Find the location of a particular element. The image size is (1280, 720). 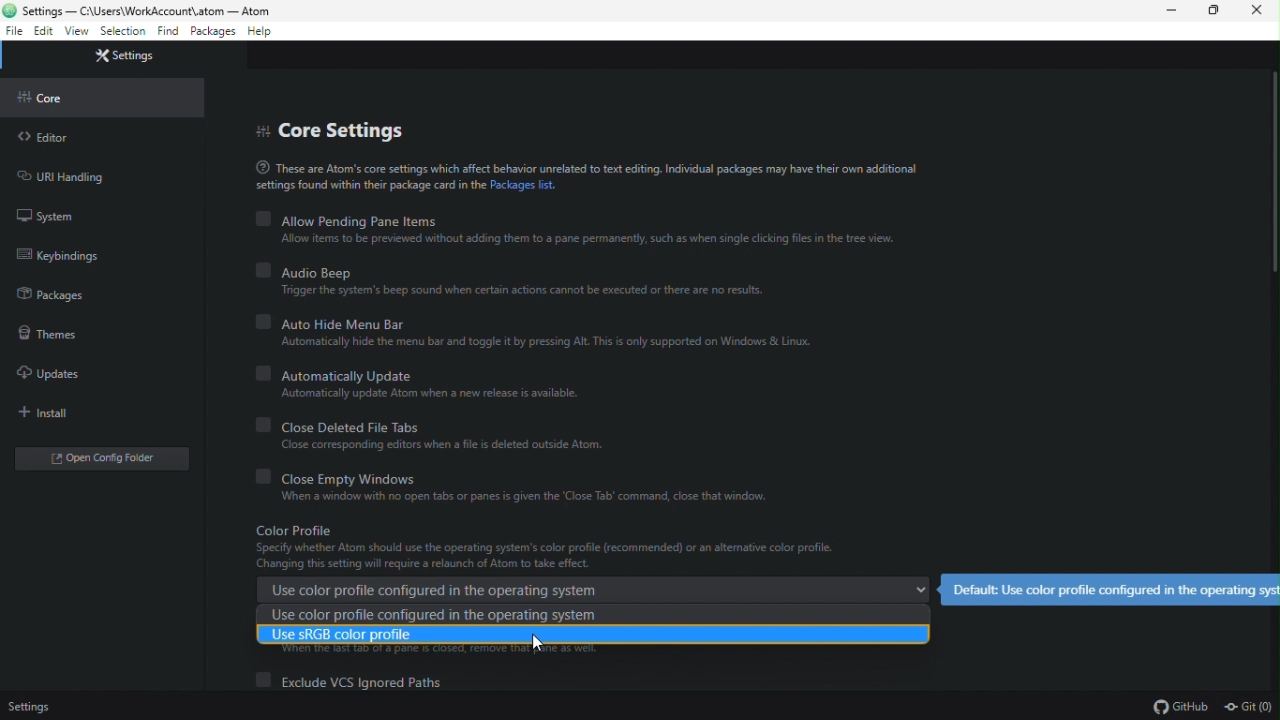

auto hide menu bar is located at coordinates (541, 330).